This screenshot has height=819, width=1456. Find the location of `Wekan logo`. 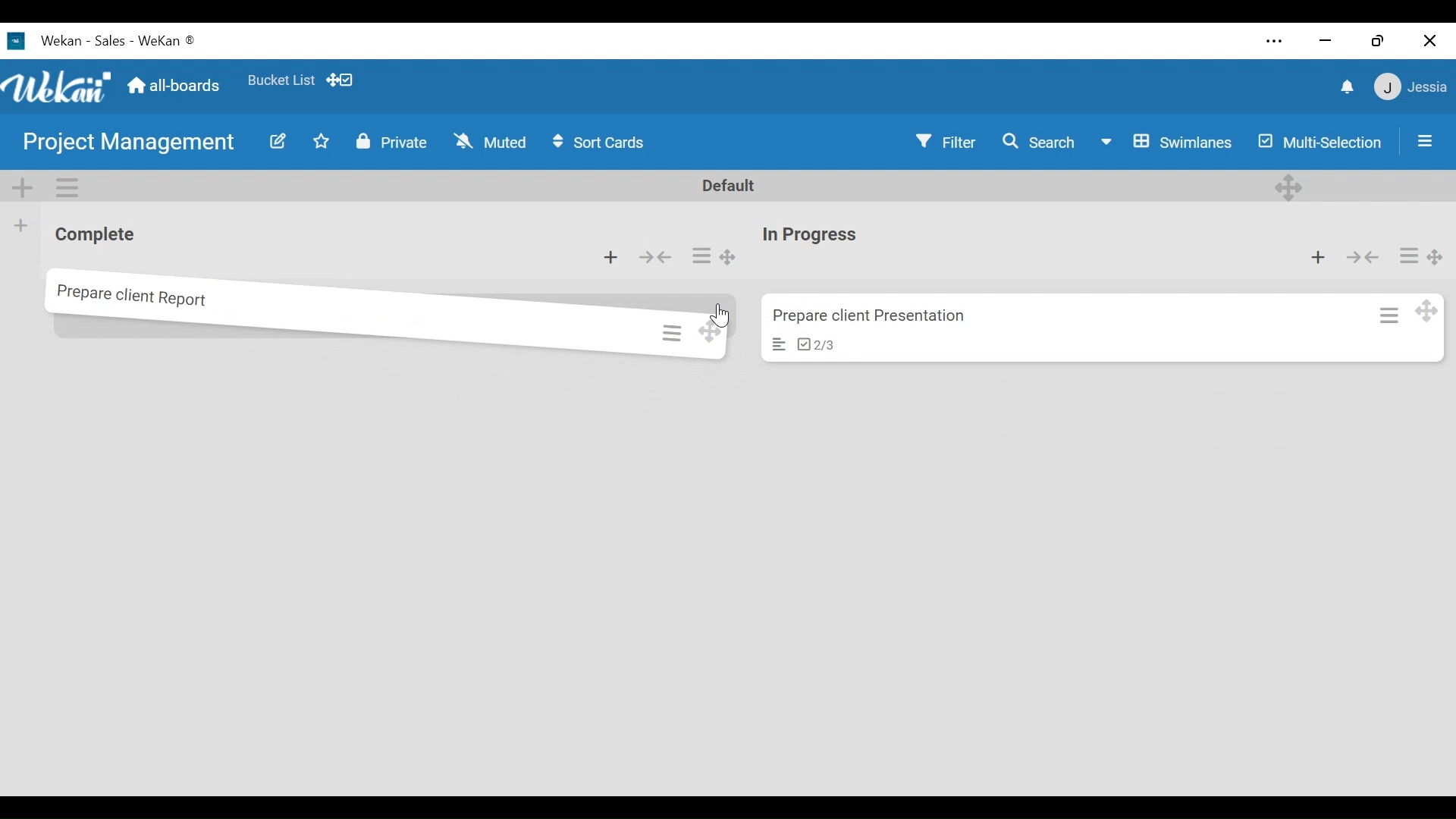

Wekan logo is located at coordinates (19, 41).